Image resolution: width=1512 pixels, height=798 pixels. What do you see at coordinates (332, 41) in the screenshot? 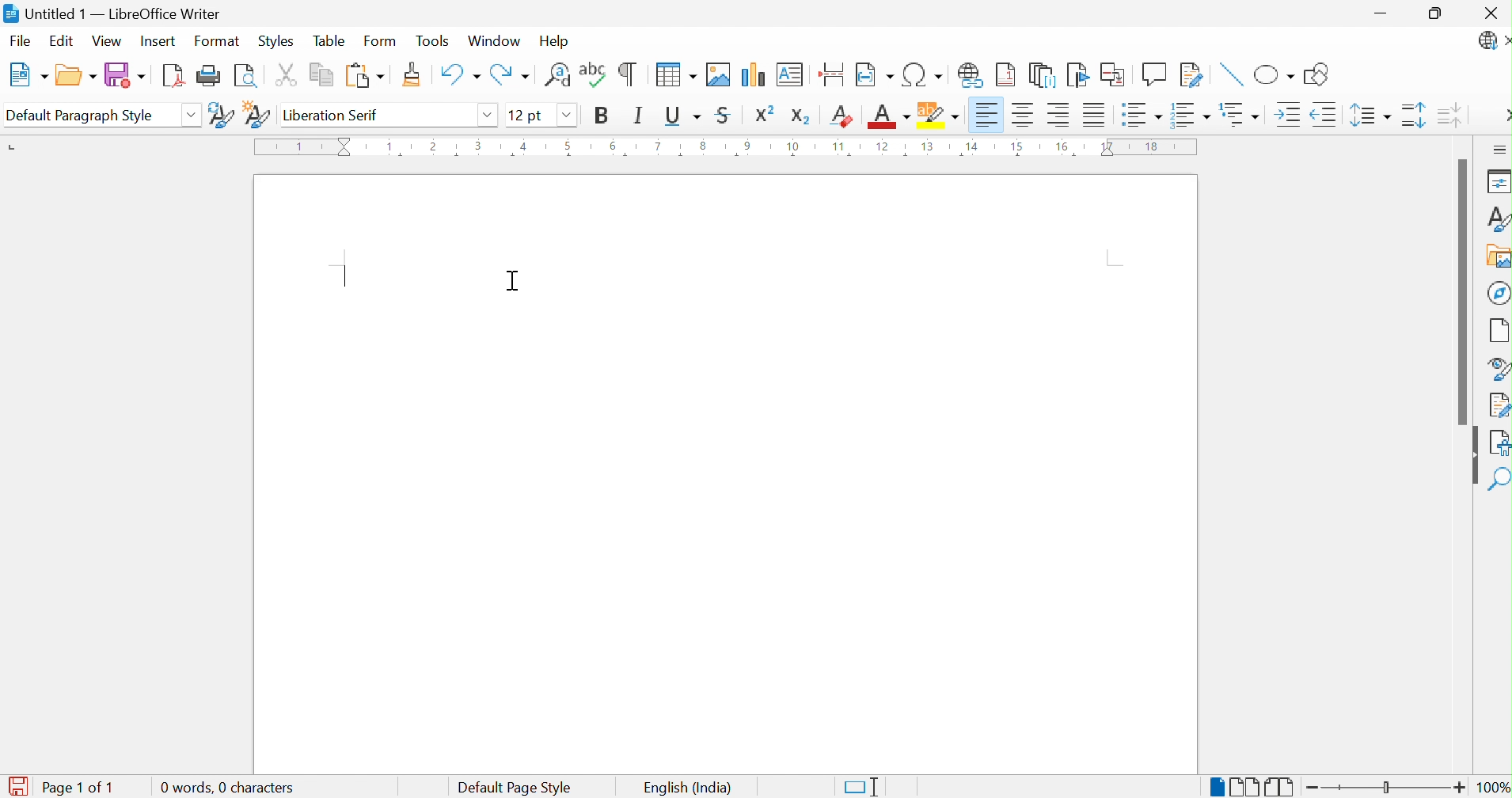
I see `Table` at bounding box center [332, 41].